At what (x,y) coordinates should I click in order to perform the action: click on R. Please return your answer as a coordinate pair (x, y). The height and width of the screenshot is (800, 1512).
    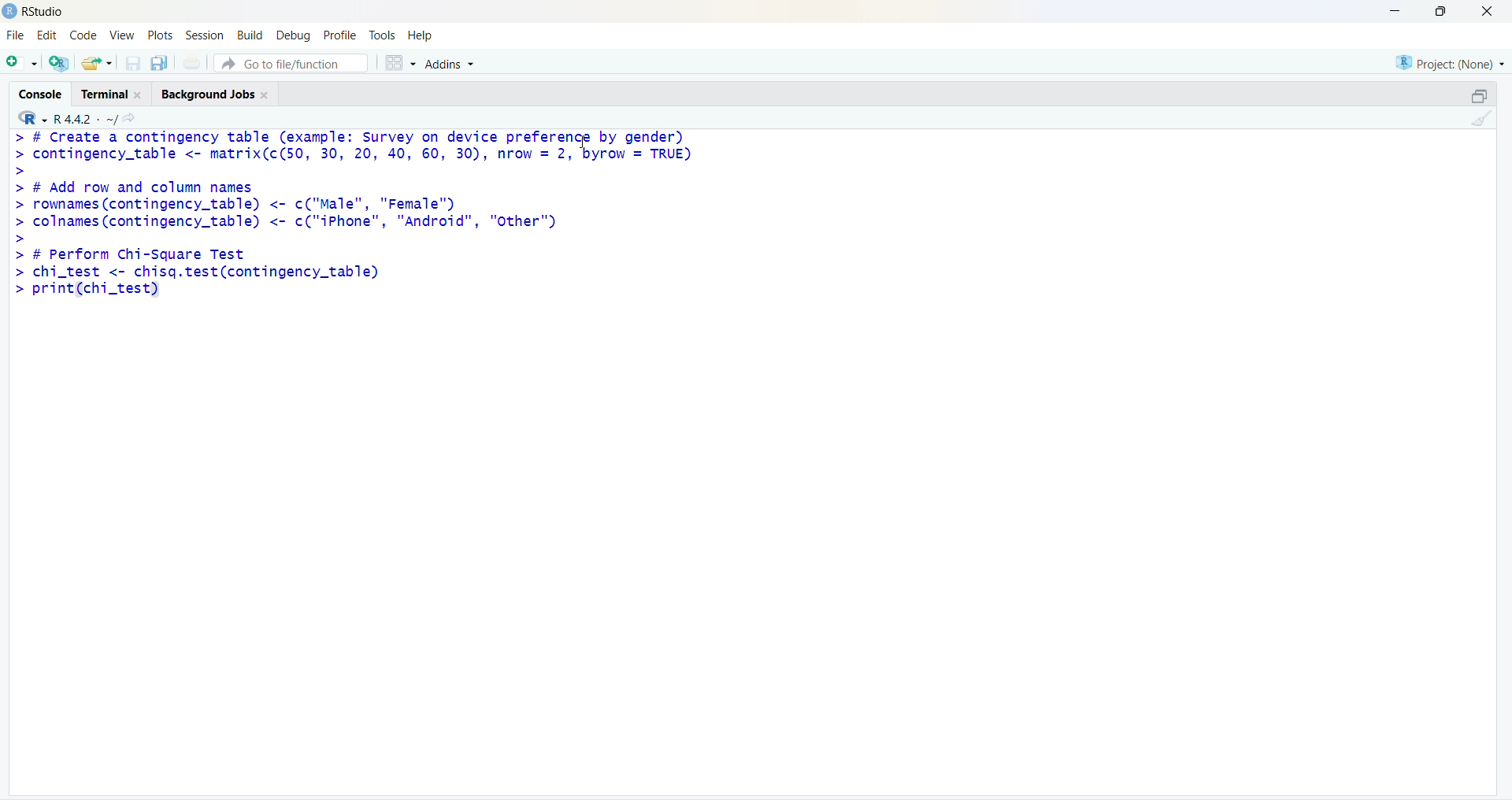
    Looking at the image, I should click on (32, 117).